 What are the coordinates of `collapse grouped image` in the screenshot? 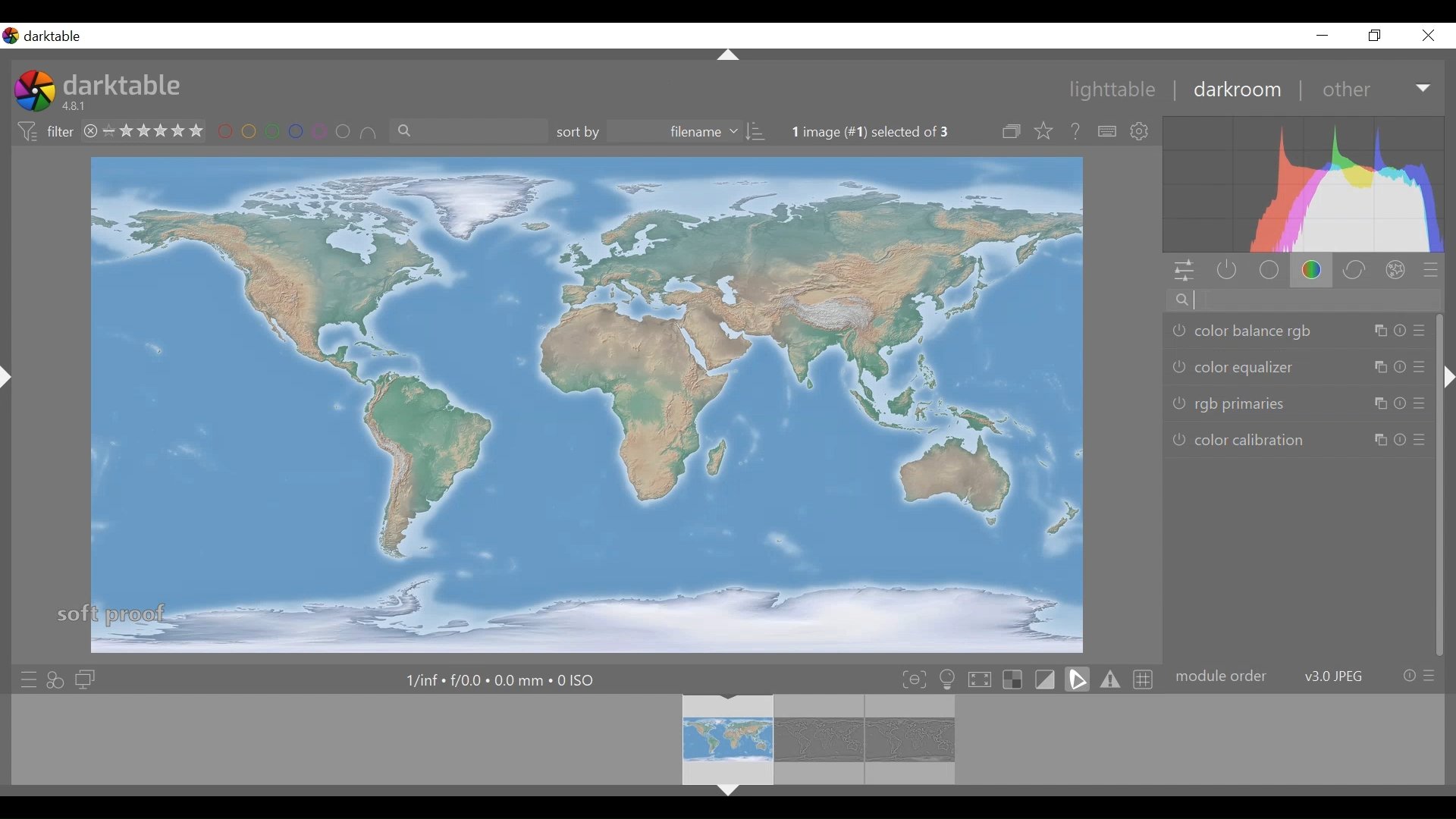 It's located at (1013, 132).